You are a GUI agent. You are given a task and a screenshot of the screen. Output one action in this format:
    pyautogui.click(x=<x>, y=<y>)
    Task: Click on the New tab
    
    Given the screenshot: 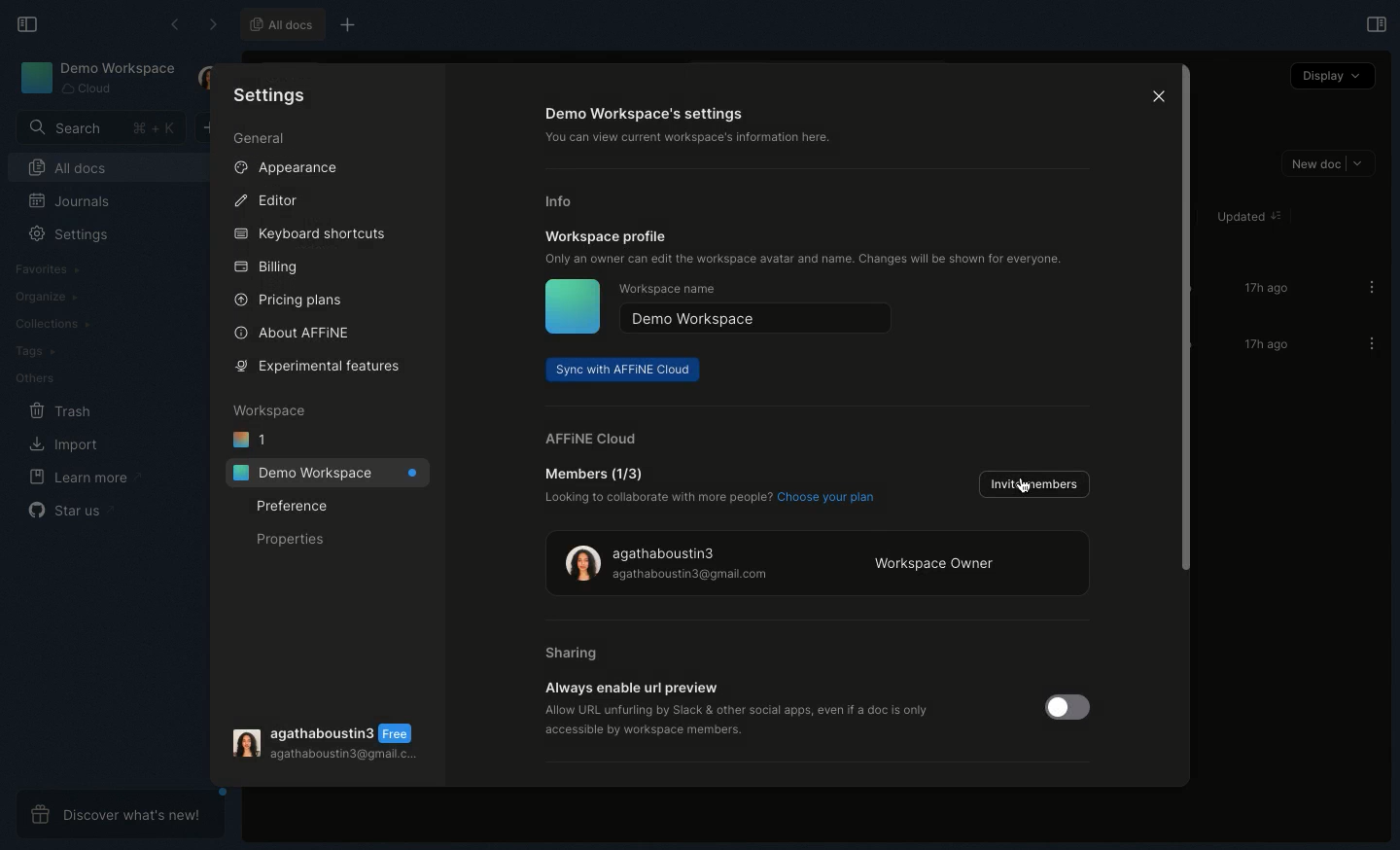 What is the action you would take?
    pyautogui.click(x=357, y=23)
    